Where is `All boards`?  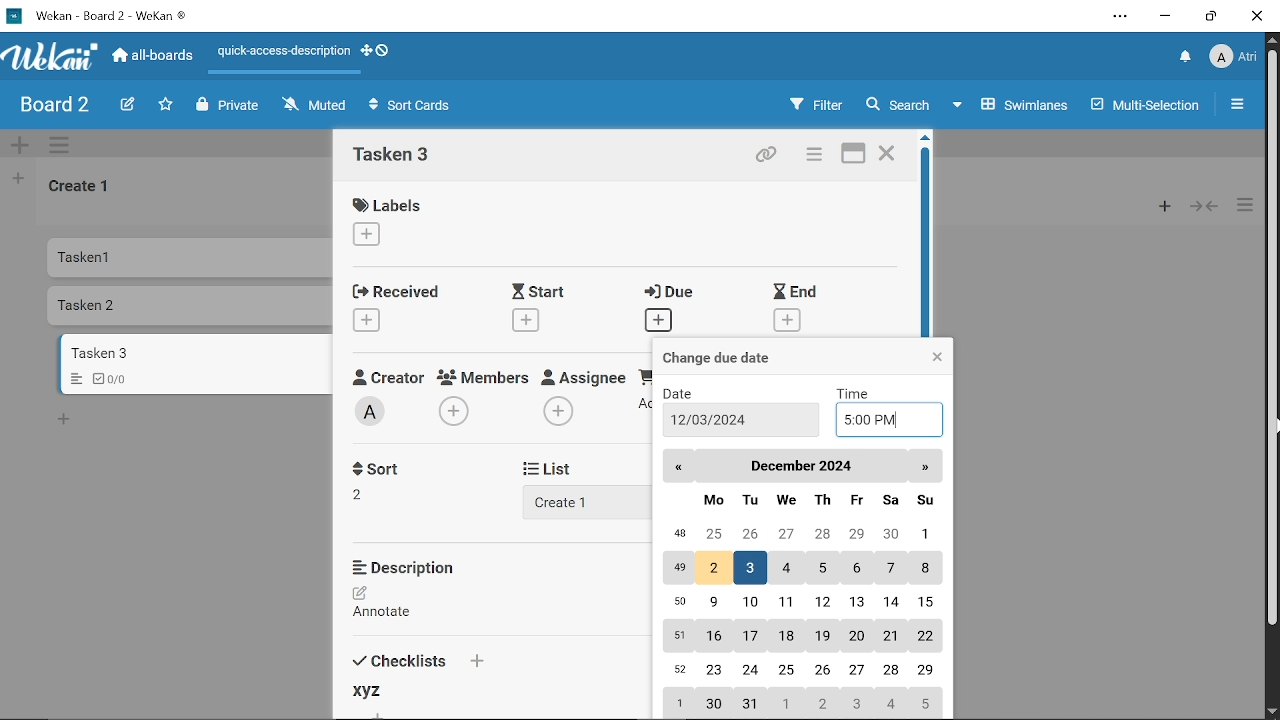 All boards is located at coordinates (155, 57).